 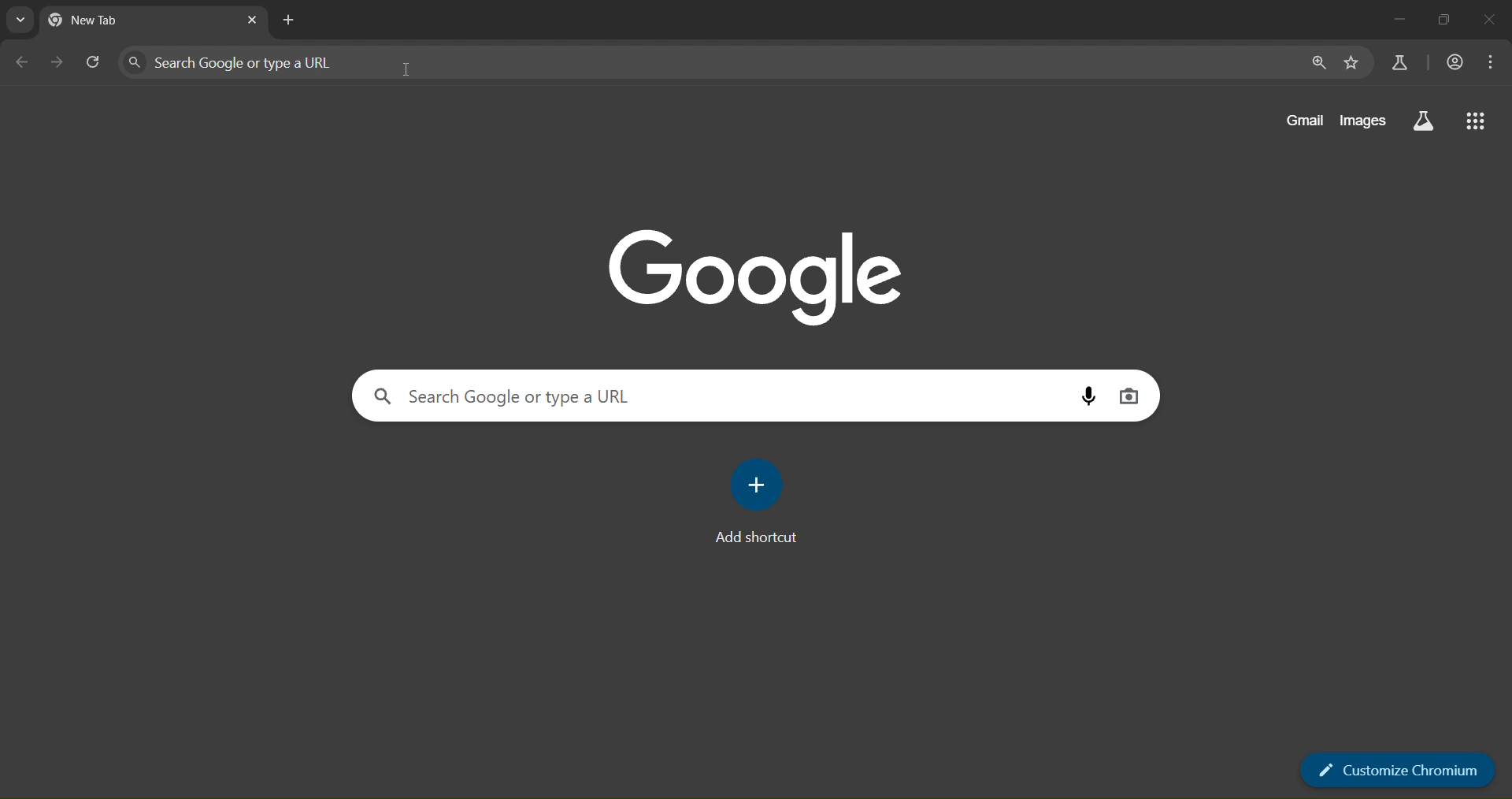 What do you see at coordinates (1131, 396) in the screenshot?
I see `image search` at bounding box center [1131, 396].